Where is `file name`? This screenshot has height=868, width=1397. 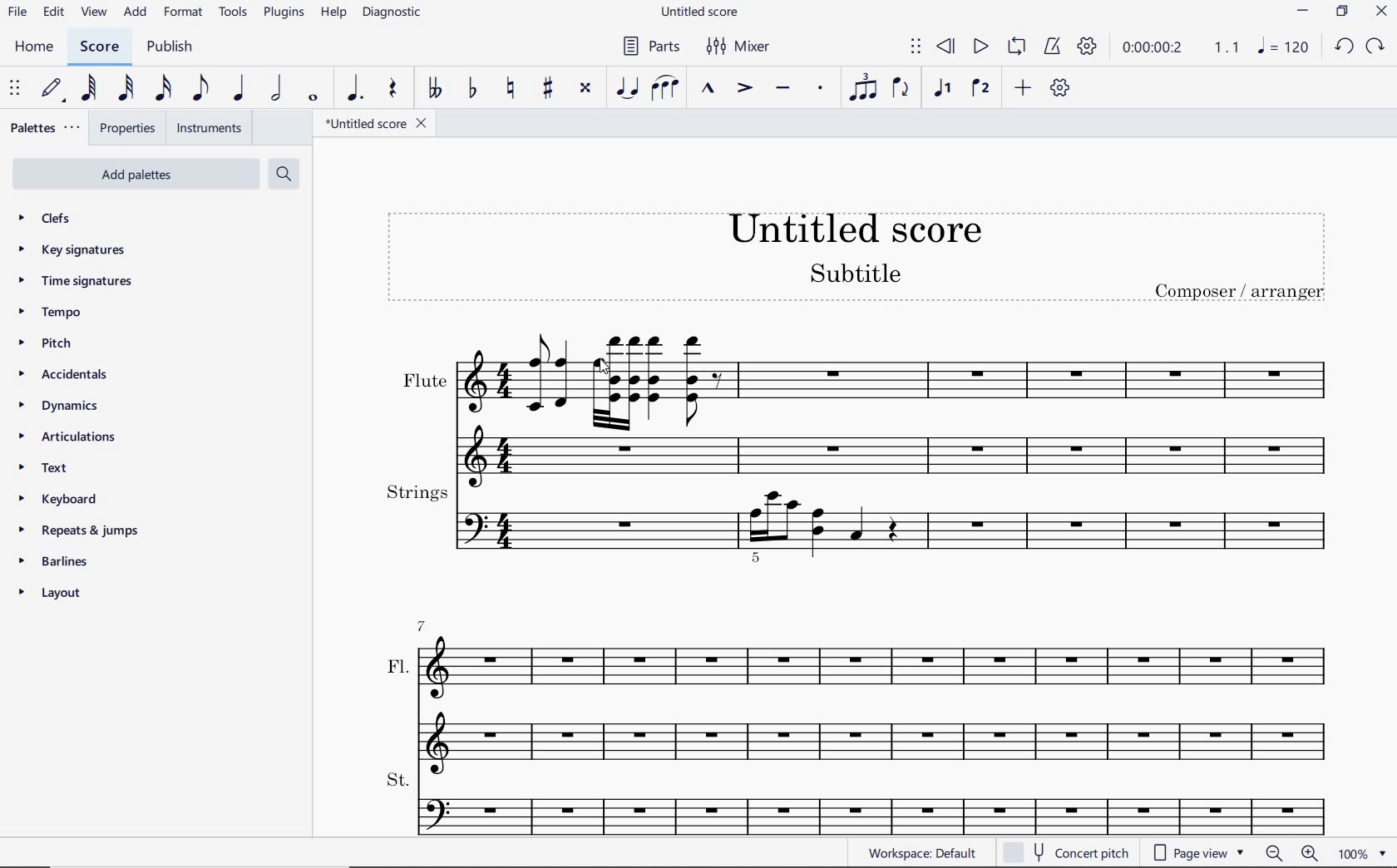 file name is located at coordinates (704, 11).